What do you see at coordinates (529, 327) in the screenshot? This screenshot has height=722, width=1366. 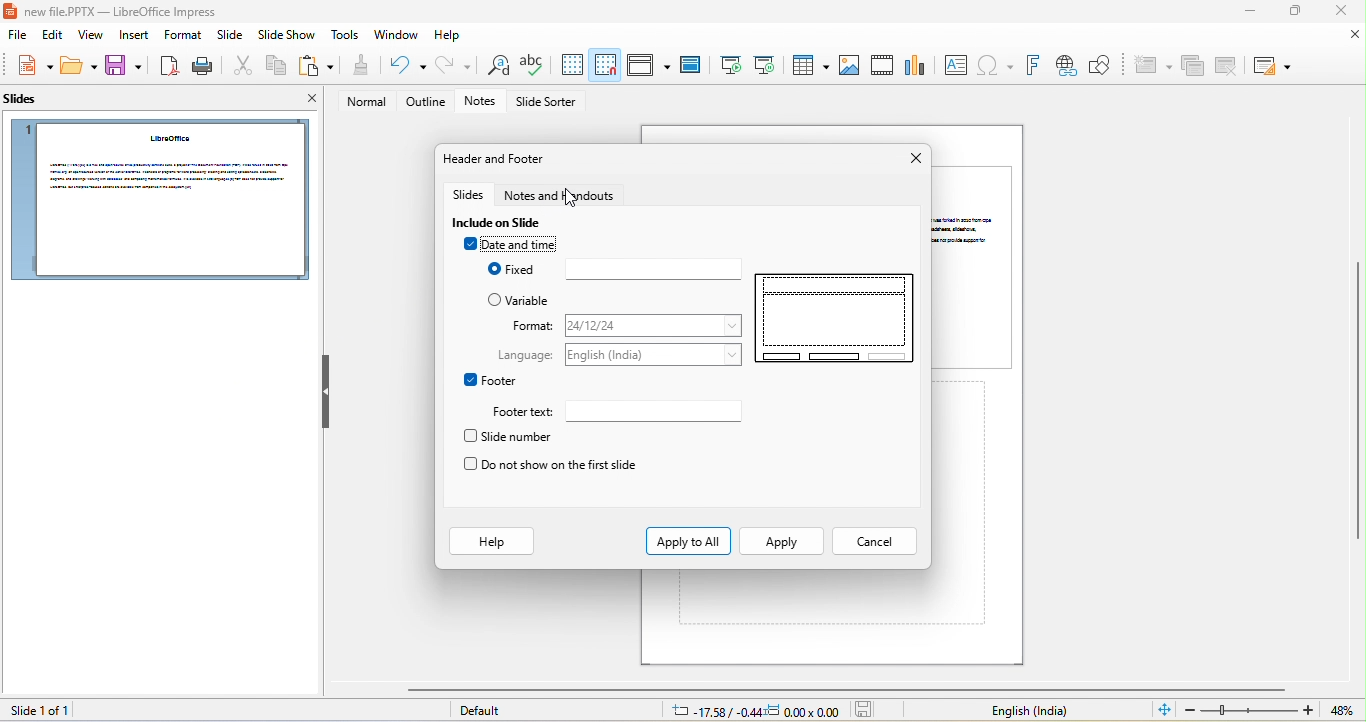 I see `format` at bounding box center [529, 327].